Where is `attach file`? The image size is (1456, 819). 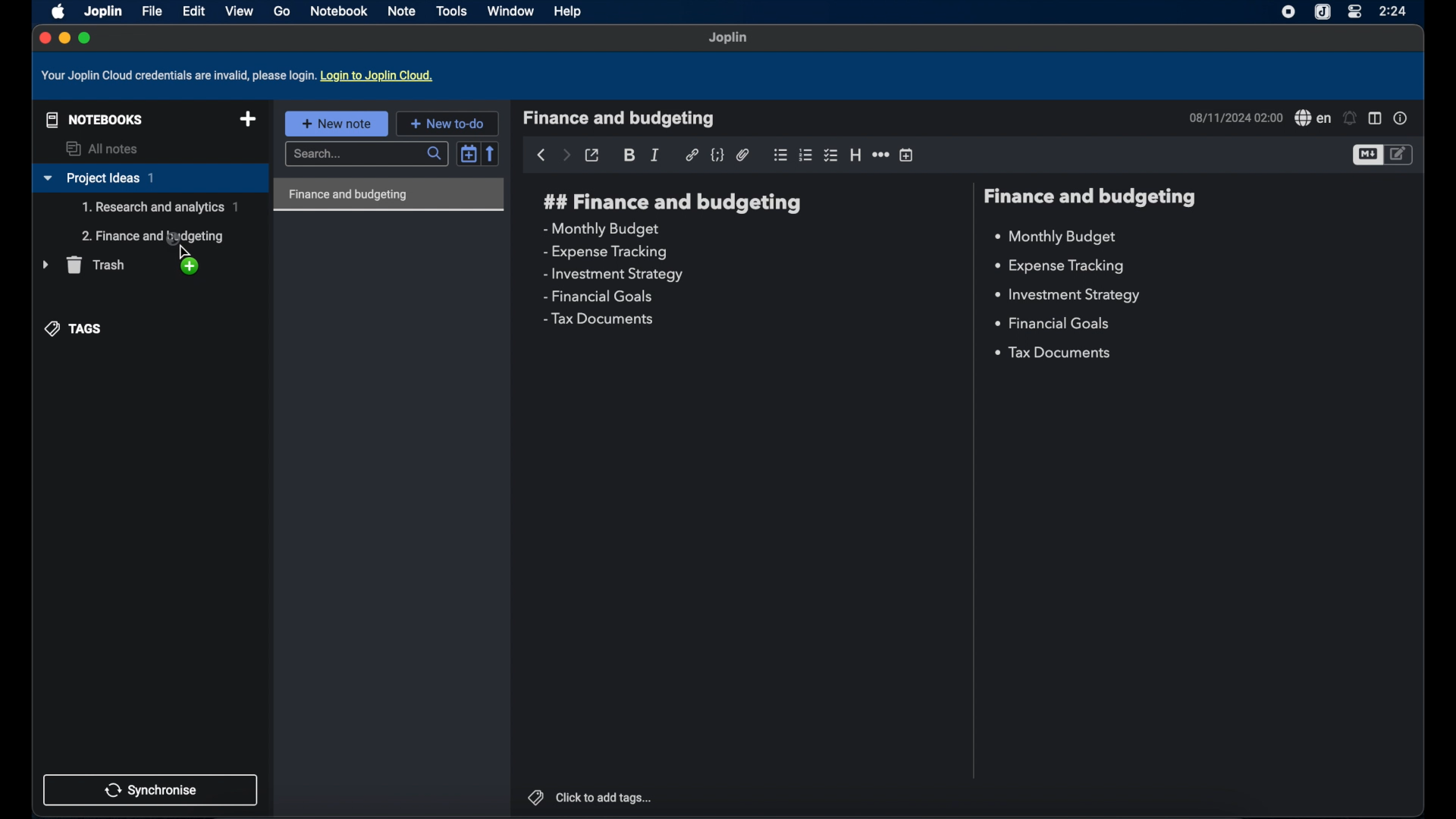 attach file is located at coordinates (743, 155).